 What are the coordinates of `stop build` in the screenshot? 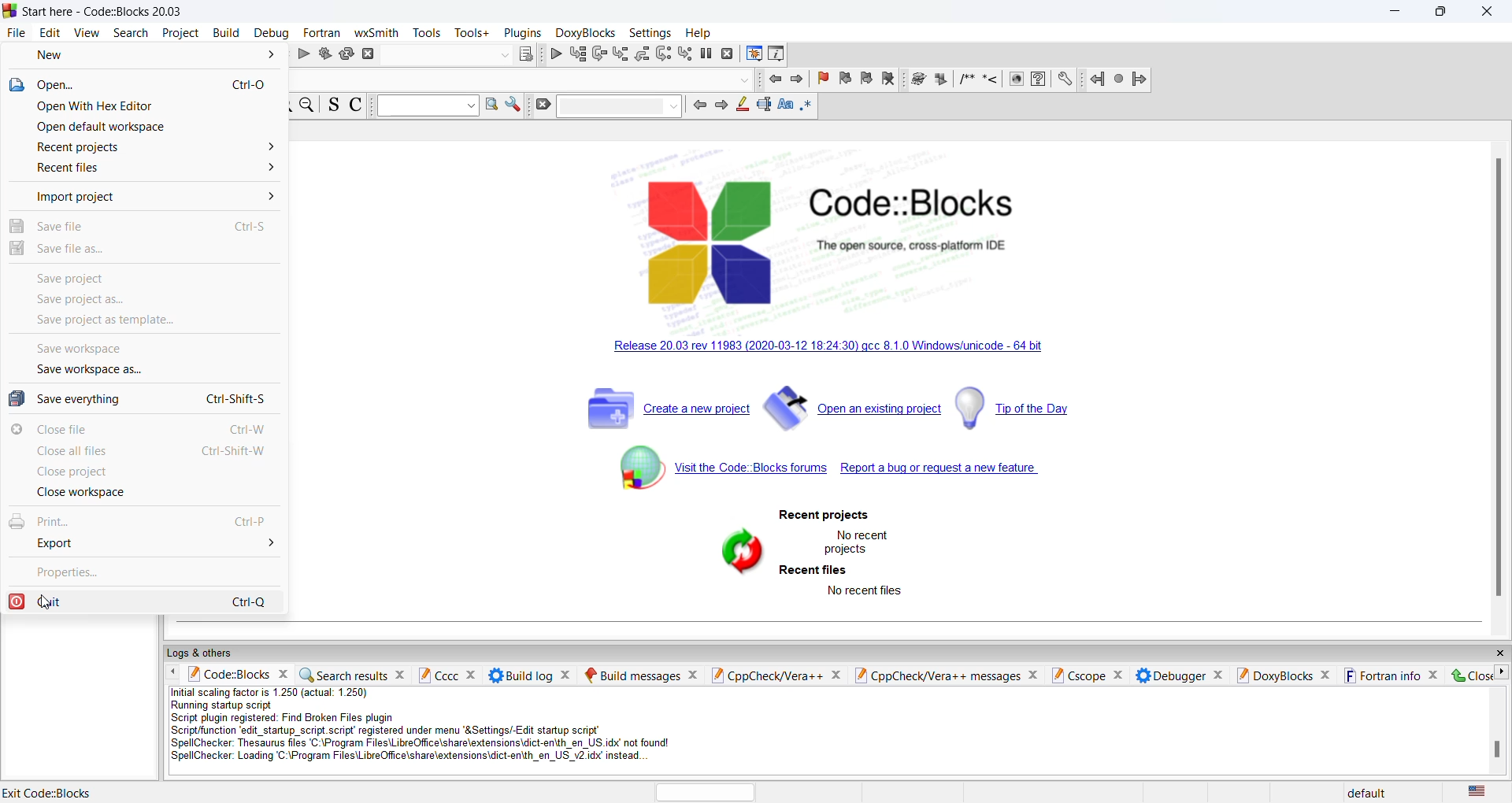 It's located at (372, 55).